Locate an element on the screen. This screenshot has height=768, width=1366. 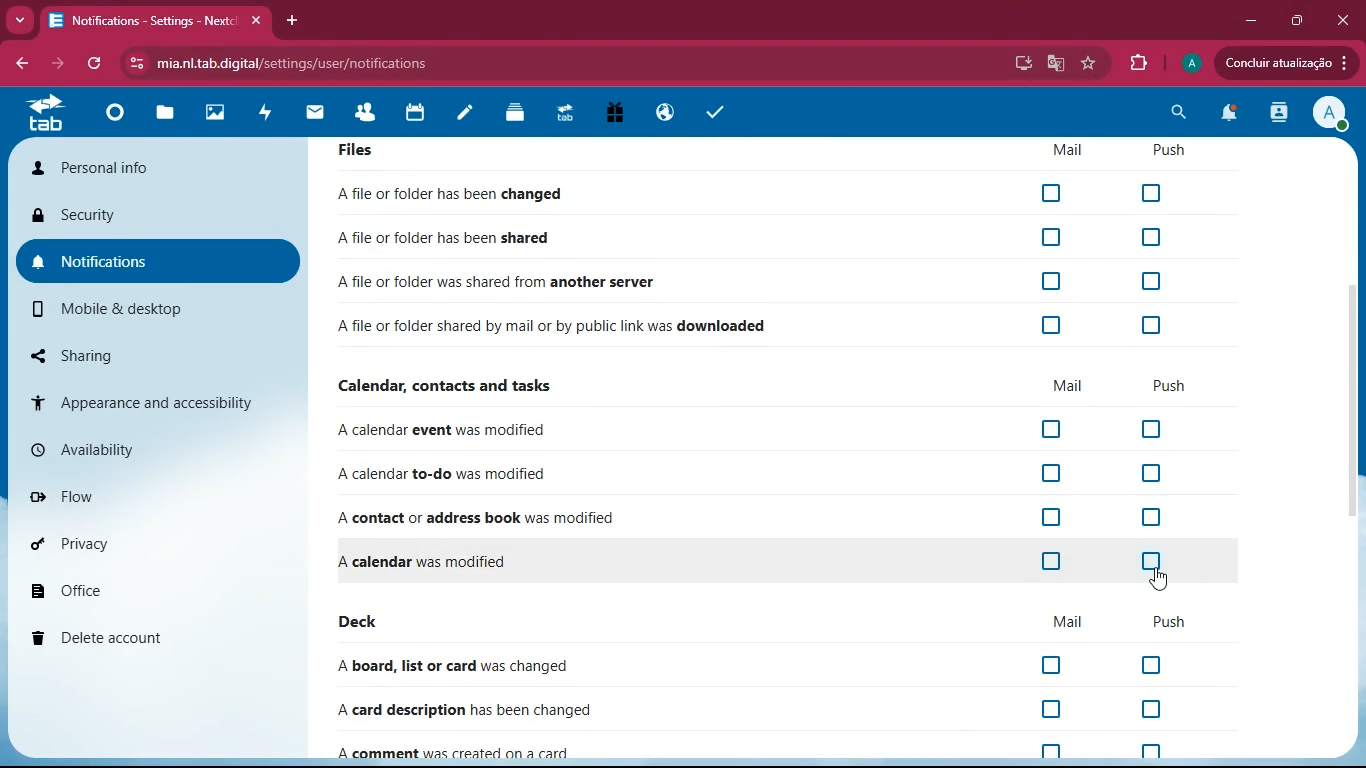
update is located at coordinates (1284, 63).